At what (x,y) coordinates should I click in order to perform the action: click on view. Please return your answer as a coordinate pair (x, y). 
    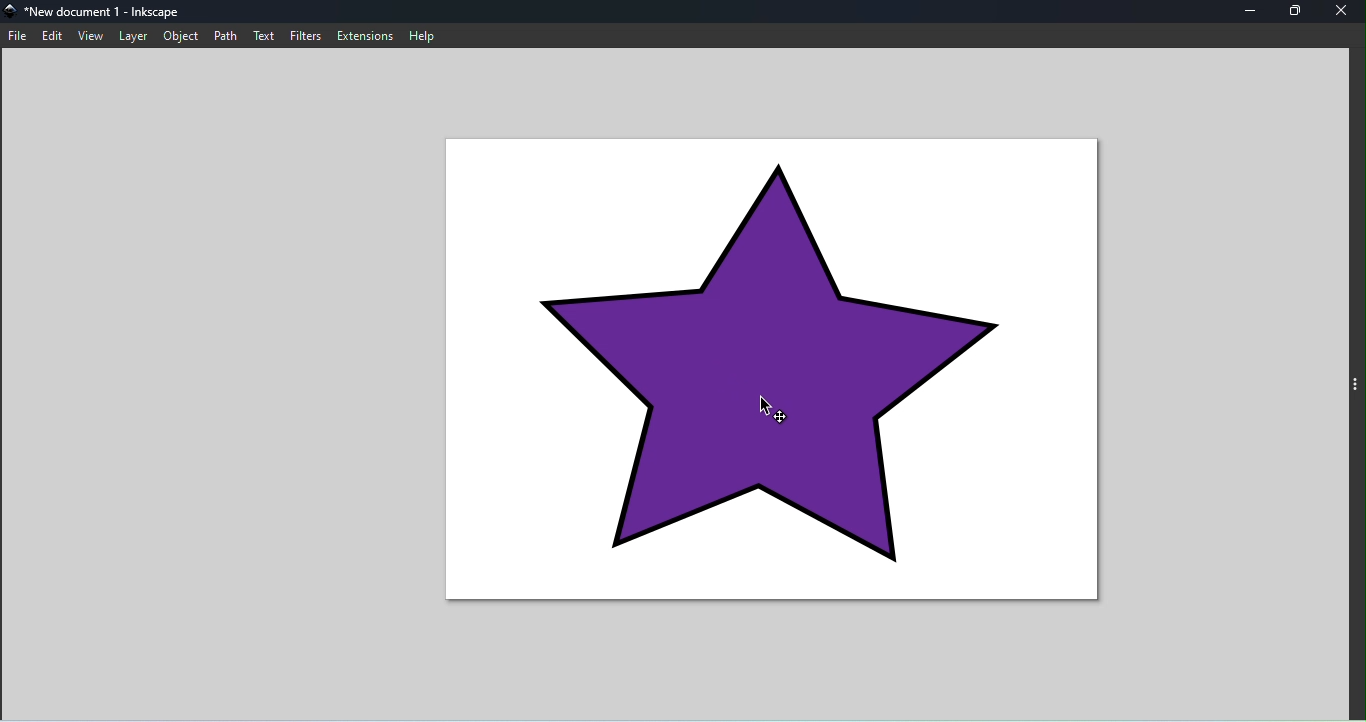
    Looking at the image, I should click on (90, 36).